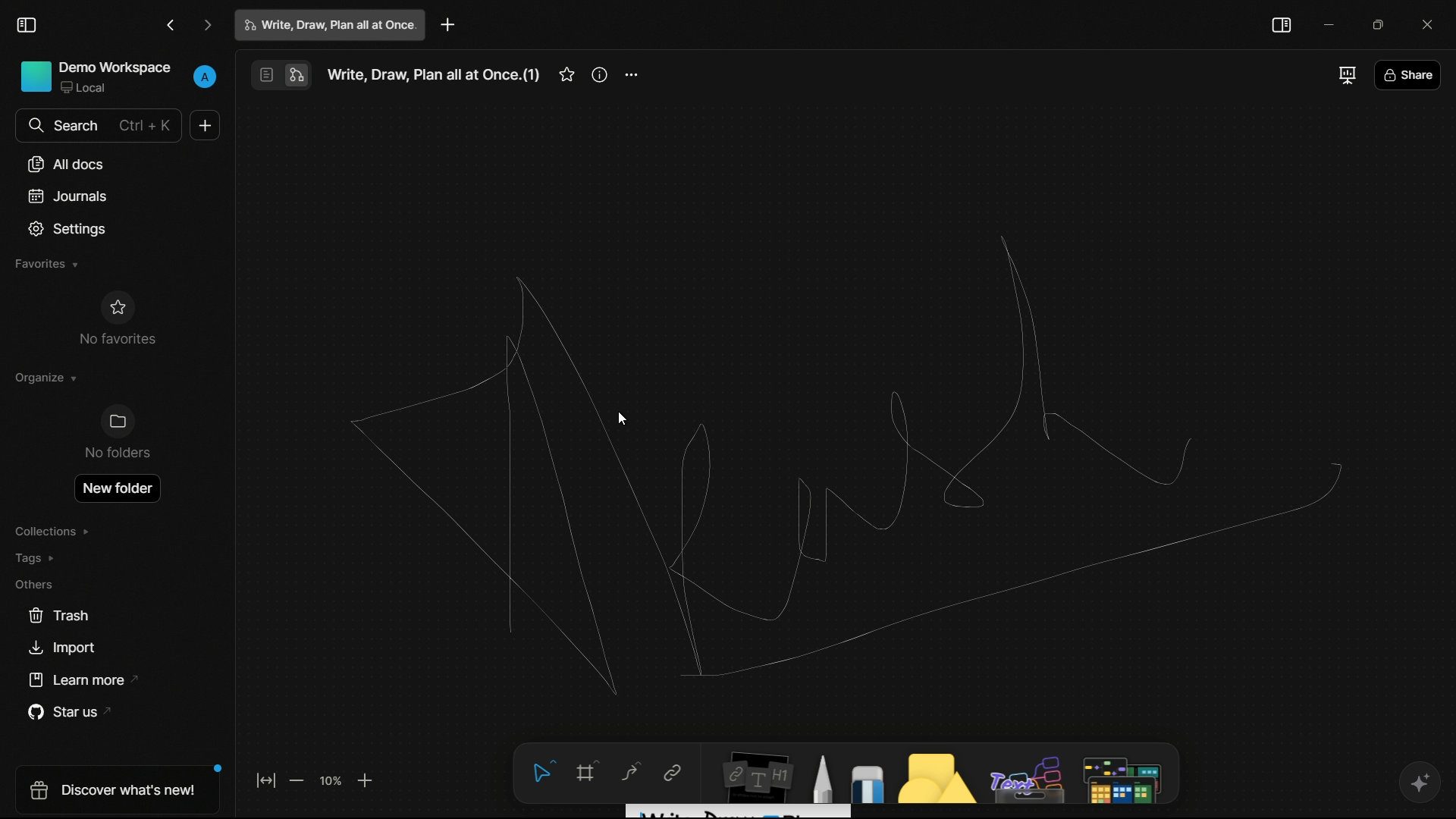 Image resolution: width=1456 pixels, height=819 pixels. What do you see at coordinates (299, 76) in the screenshot?
I see `edgeless mode` at bounding box center [299, 76].